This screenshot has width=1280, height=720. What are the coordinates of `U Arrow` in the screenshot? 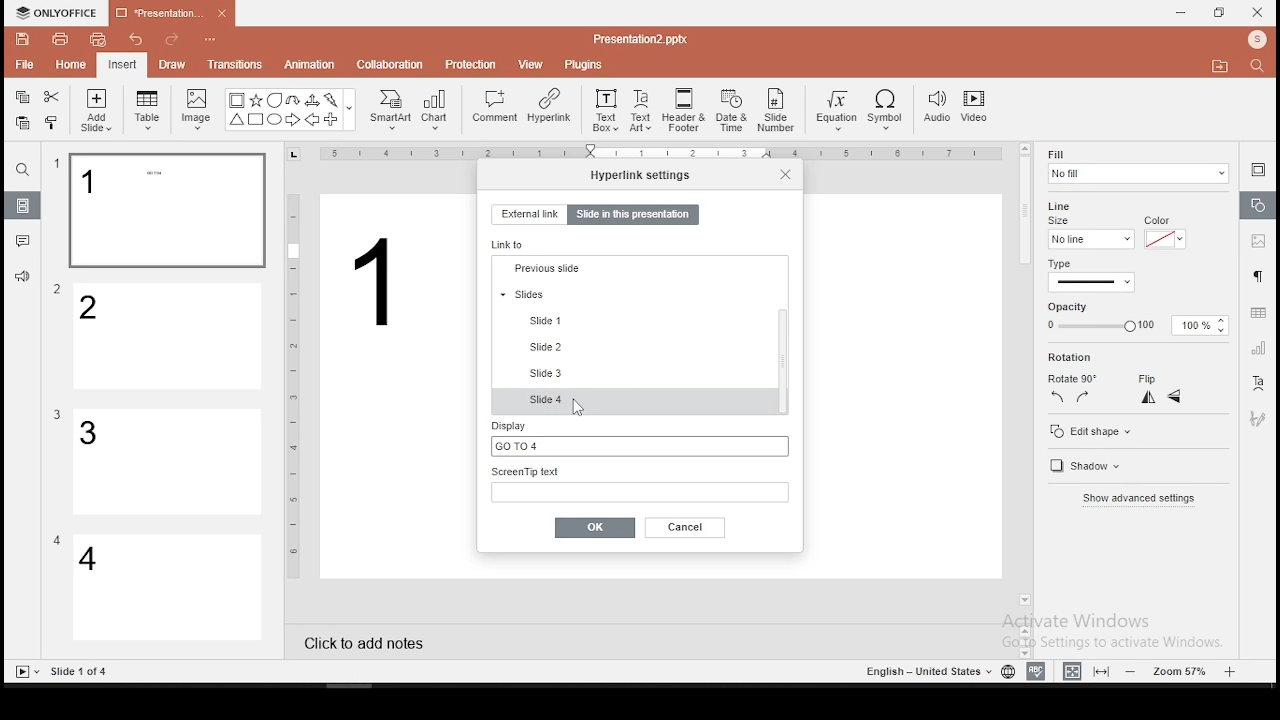 It's located at (294, 100).